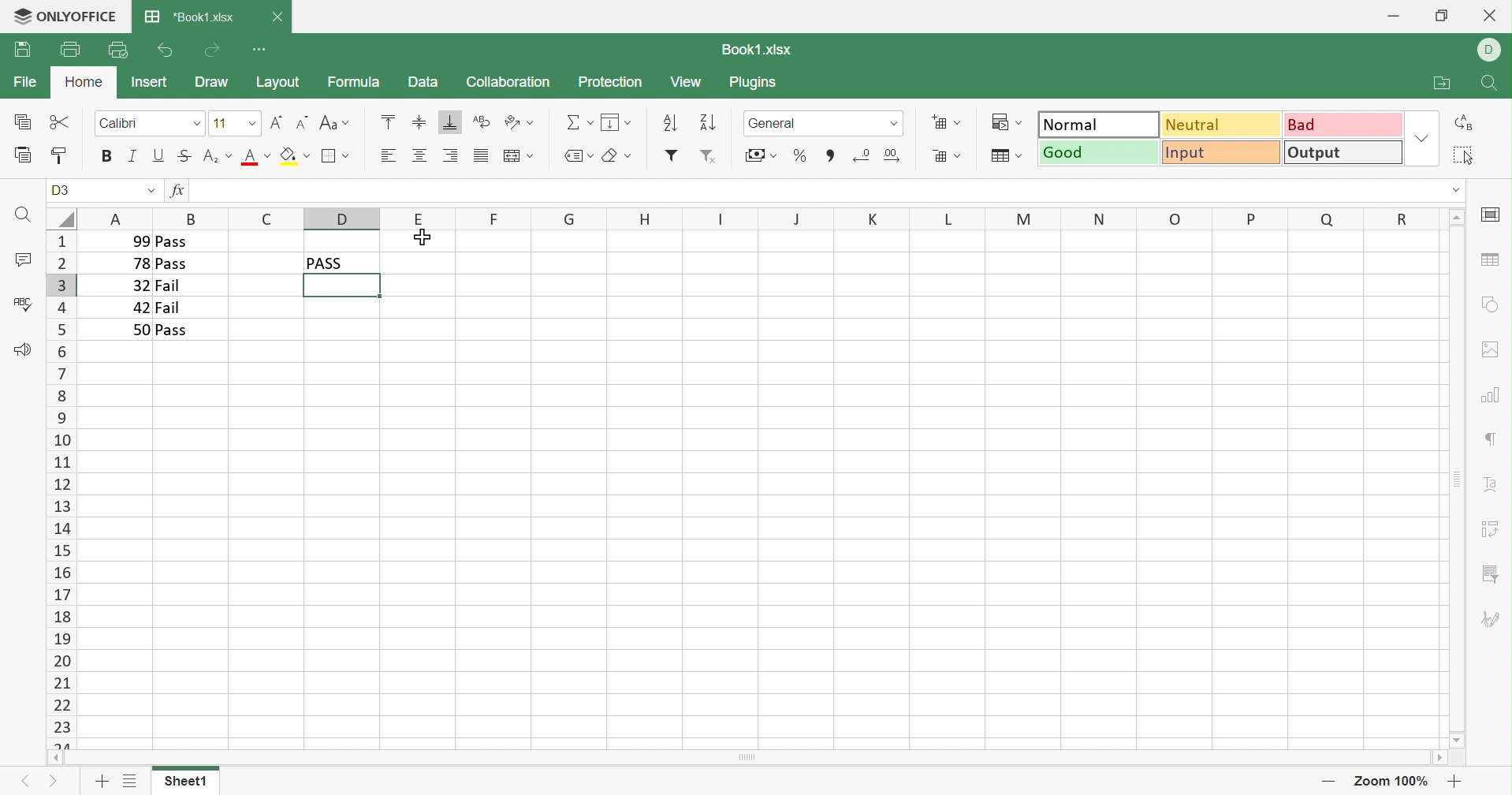 This screenshot has width=1512, height=795. What do you see at coordinates (172, 265) in the screenshot?
I see `Pass` at bounding box center [172, 265].